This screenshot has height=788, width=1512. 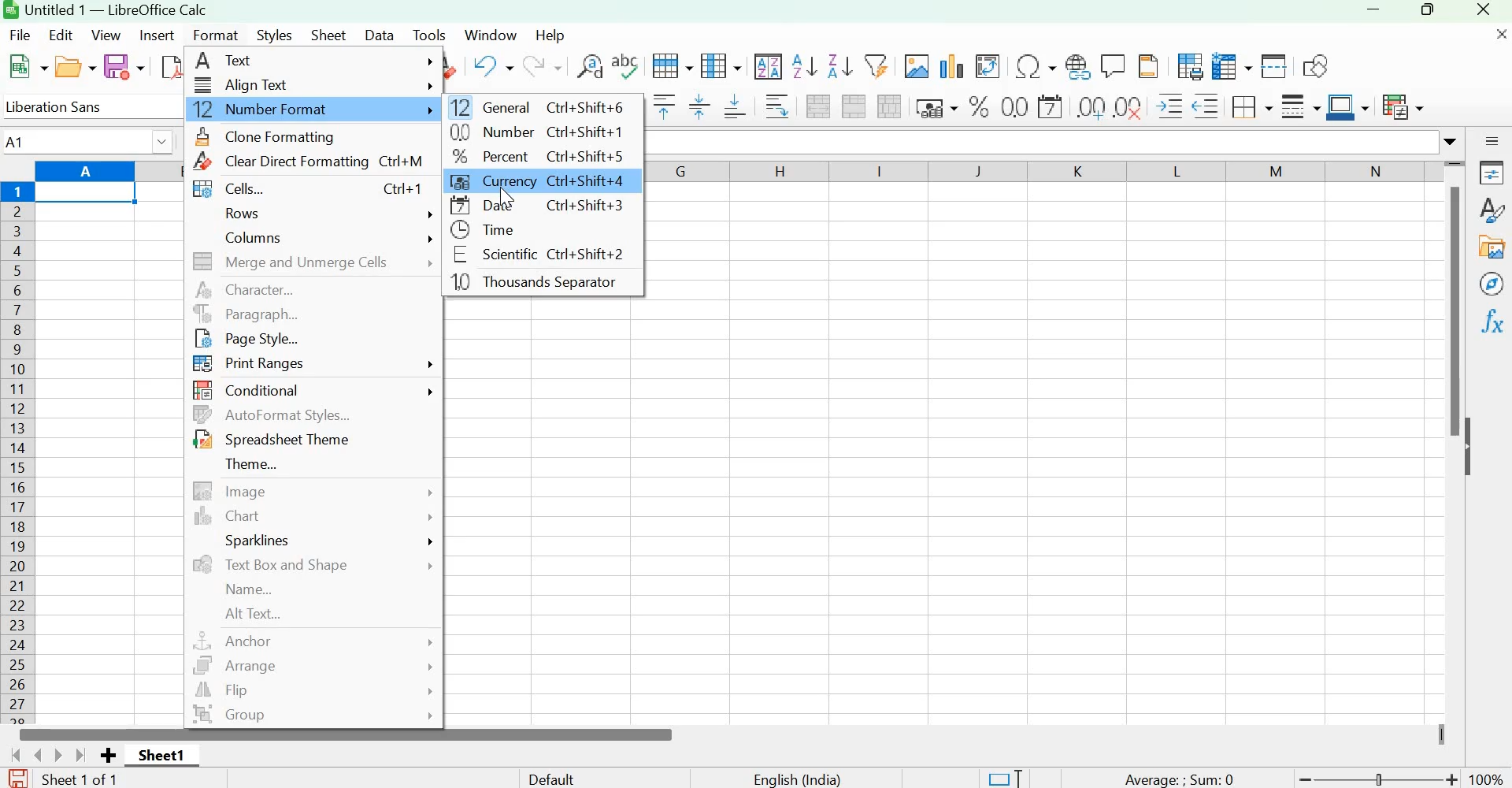 I want to click on Navigator, so click(x=1492, y=284).